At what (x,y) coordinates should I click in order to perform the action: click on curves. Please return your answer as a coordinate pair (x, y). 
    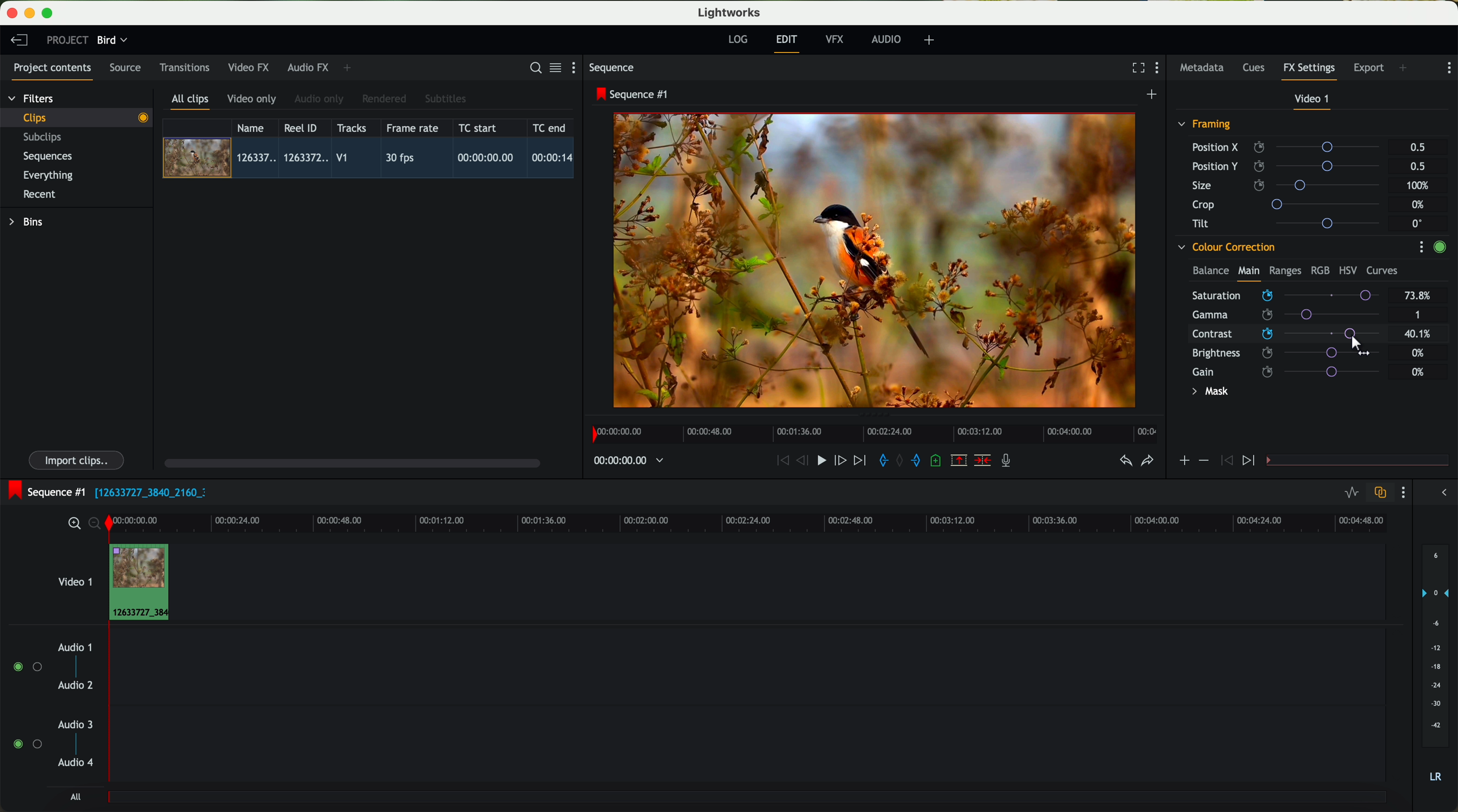
    Looking at the image, I should click on (1382, 271).